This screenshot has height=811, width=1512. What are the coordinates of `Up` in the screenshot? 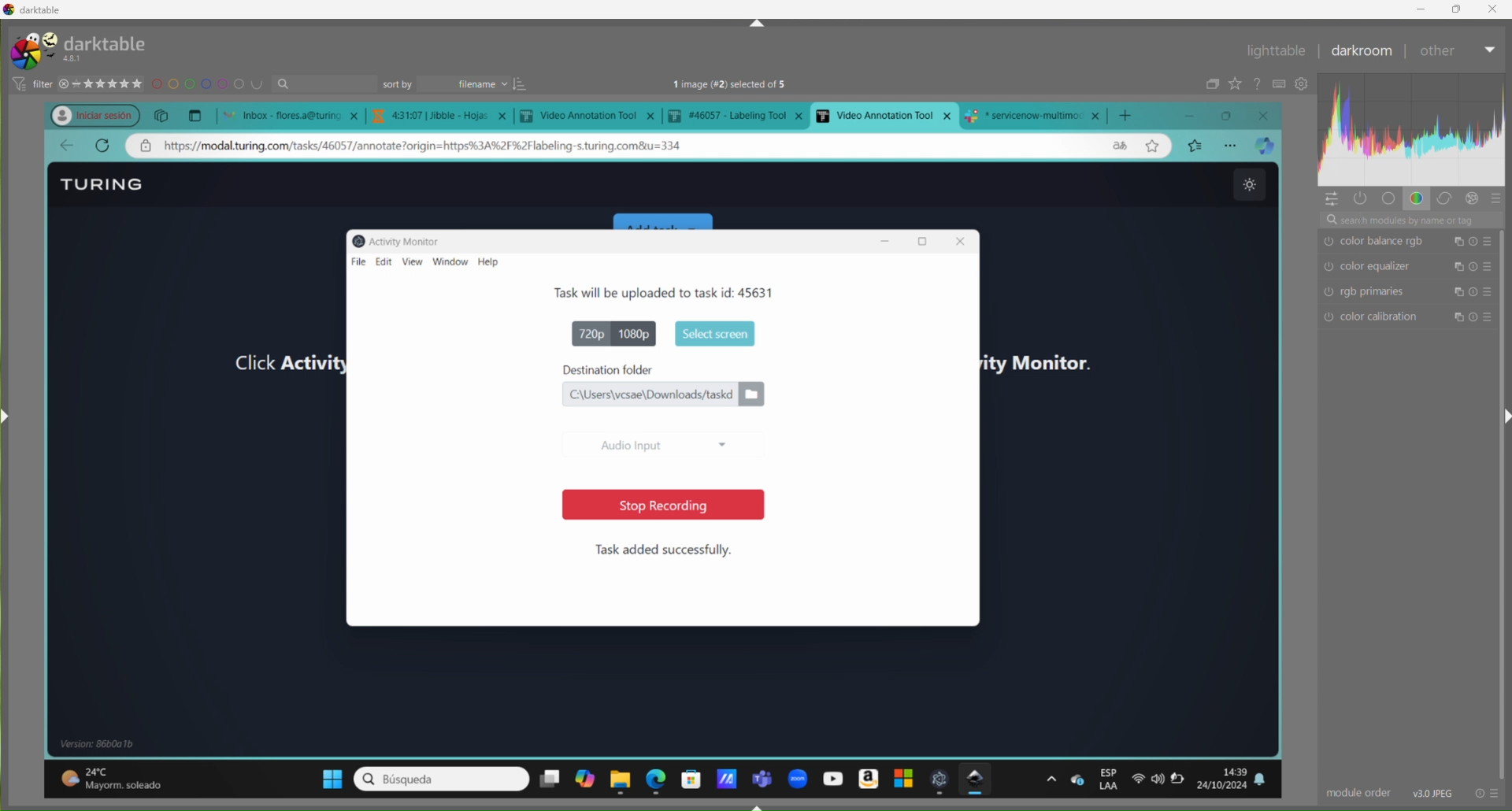 It's located at (756, 23).